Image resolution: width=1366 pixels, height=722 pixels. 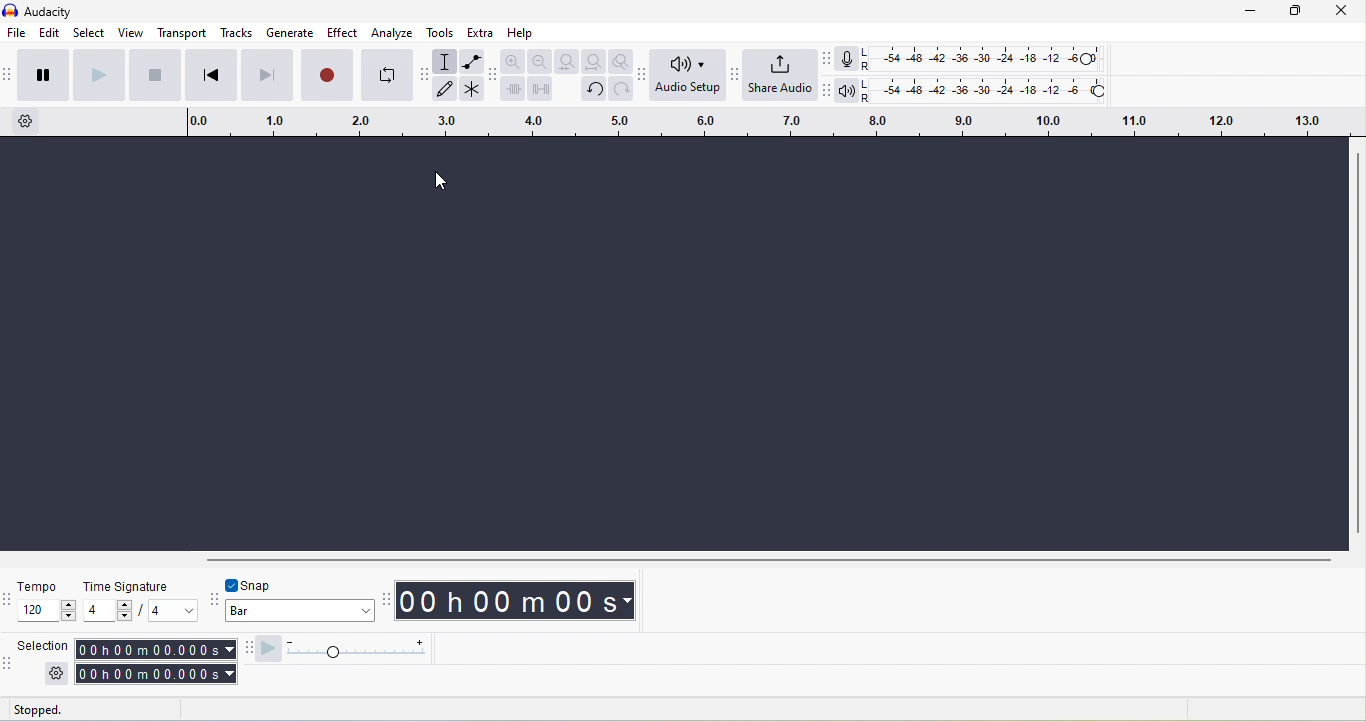 What do you see at coordinates (689, 74) in the screenshot?
I see `audio setup` at bounding box center [689, 74].